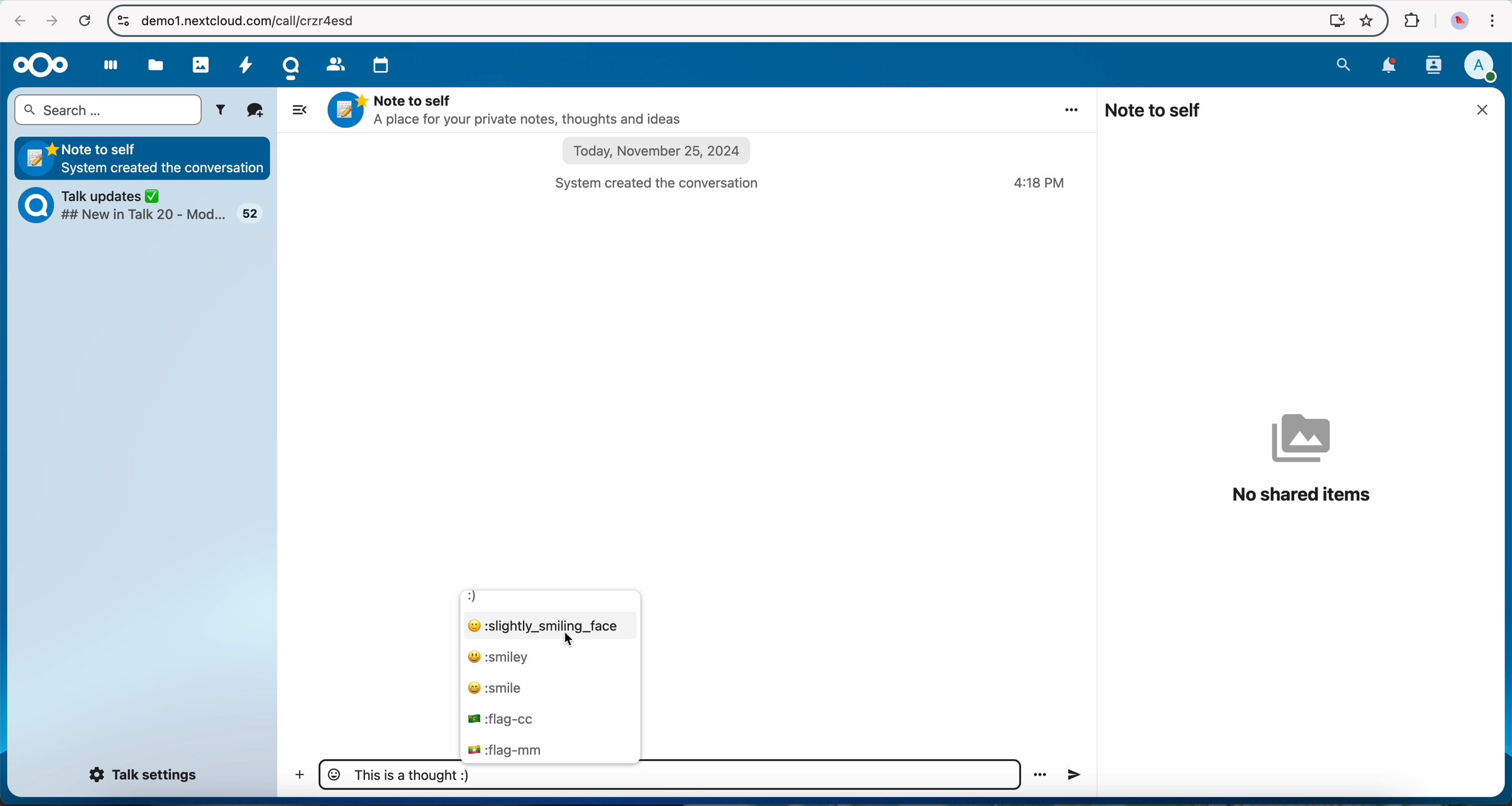 Image resolution: width=1512 pixels, height=806 pixels. Describe the element at coordinates (500, 691) in the screenshot. I see `smile` at that location.